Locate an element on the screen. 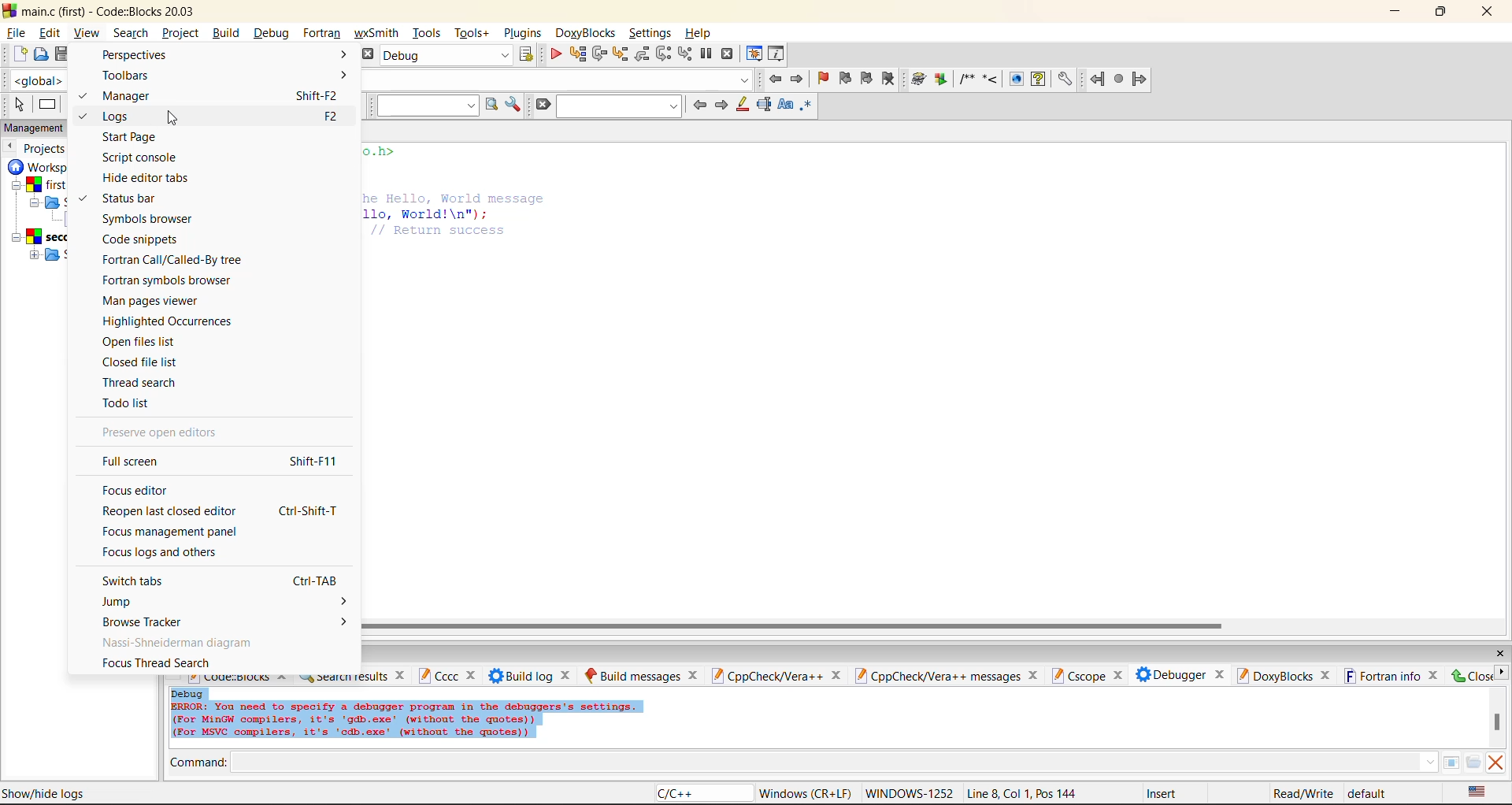  nassi shneidderman diagram is located at coordinates (180, 642).